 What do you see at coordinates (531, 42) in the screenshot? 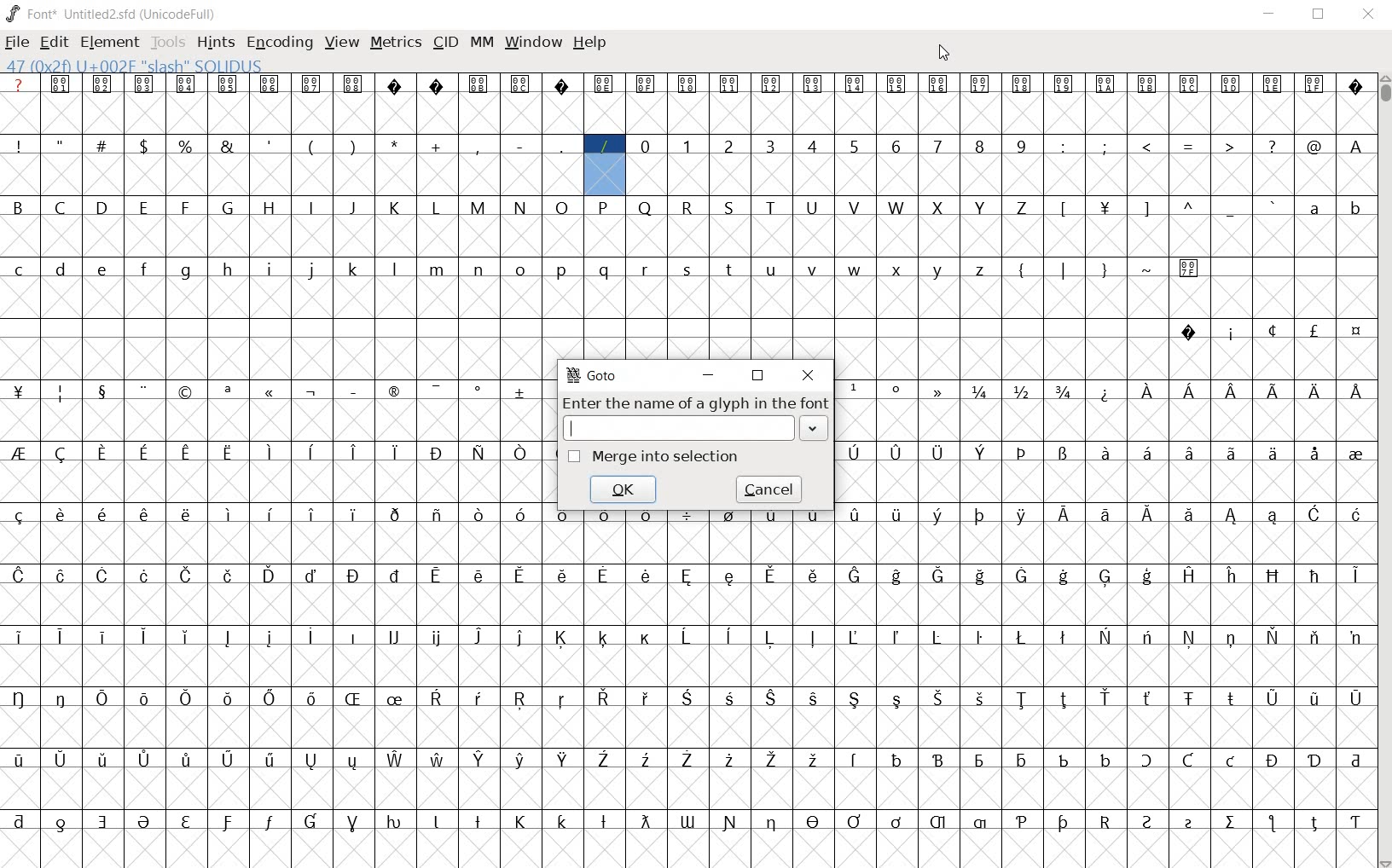
I see `WINDOW` at bounding box center [531, 42].